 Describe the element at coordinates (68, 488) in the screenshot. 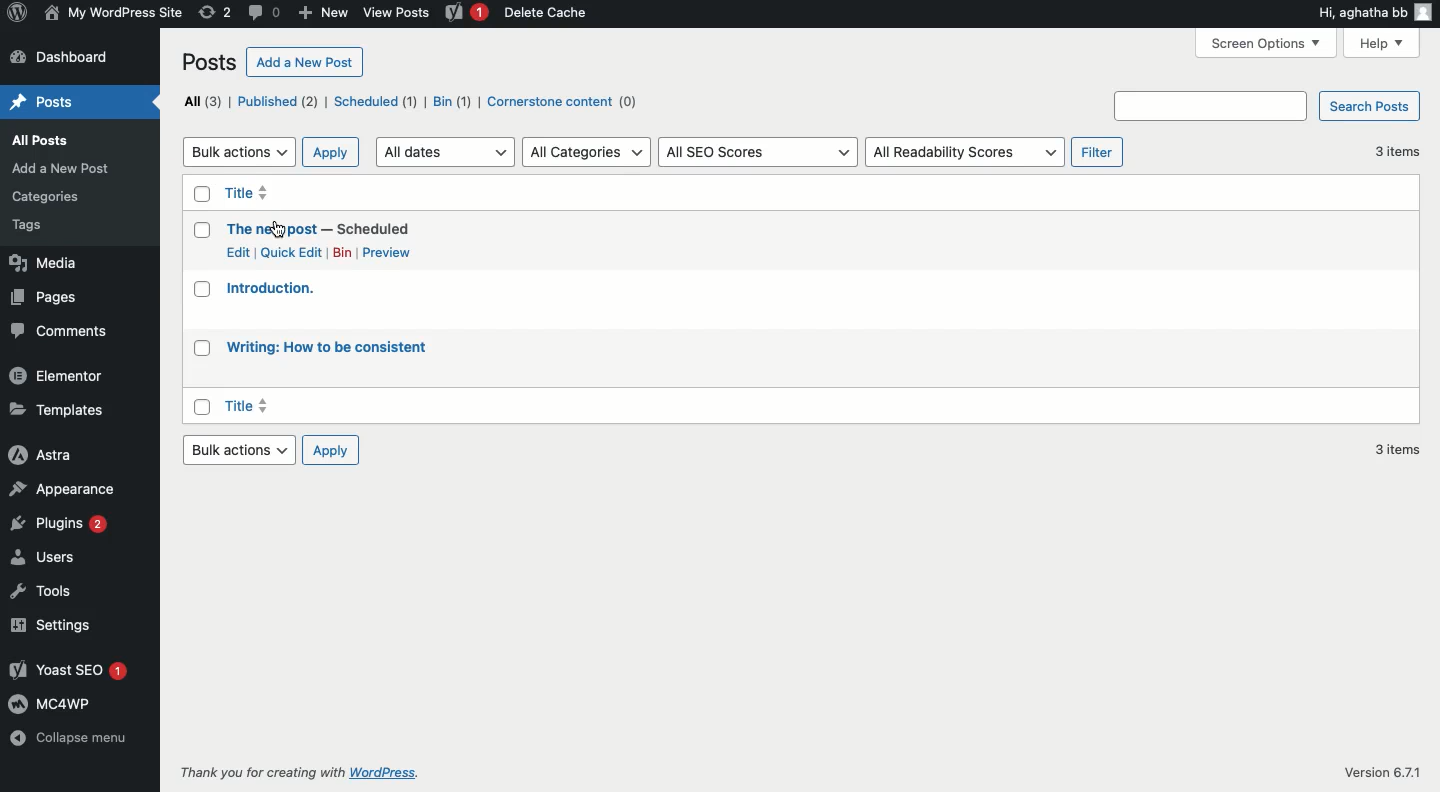

I see `Appearance` at that location.